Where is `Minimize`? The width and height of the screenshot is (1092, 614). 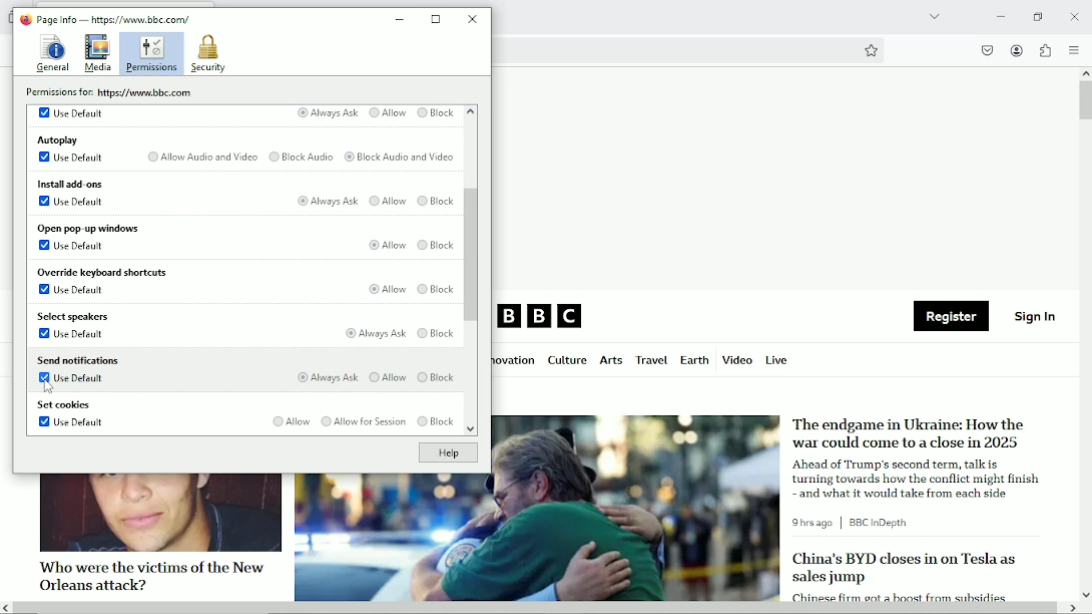 Minimize is located at coordinates (999, 16).